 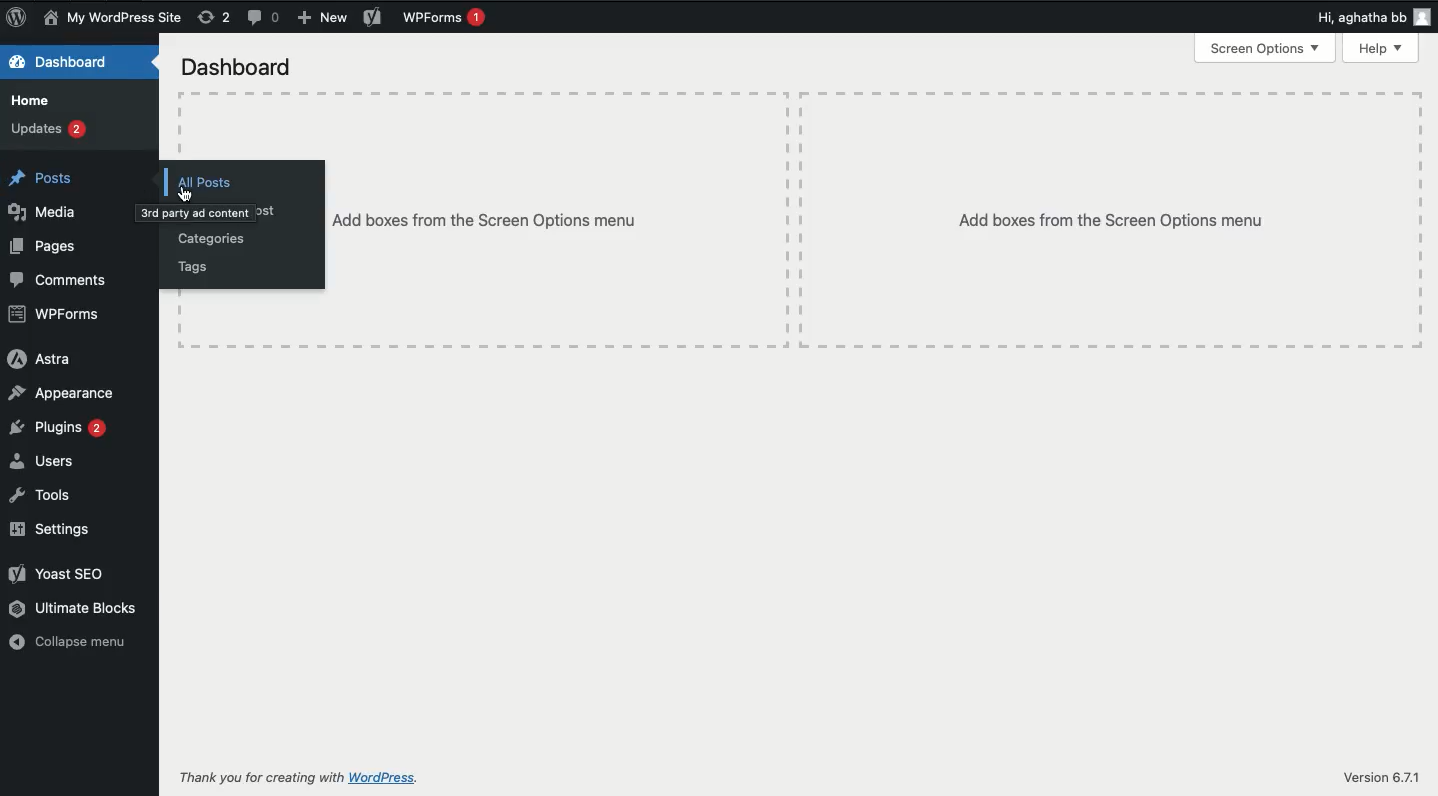 What do you see at coordinates (226, 212) in the screenshot?
I see `Add a new post` at bounding box center [226, 212].